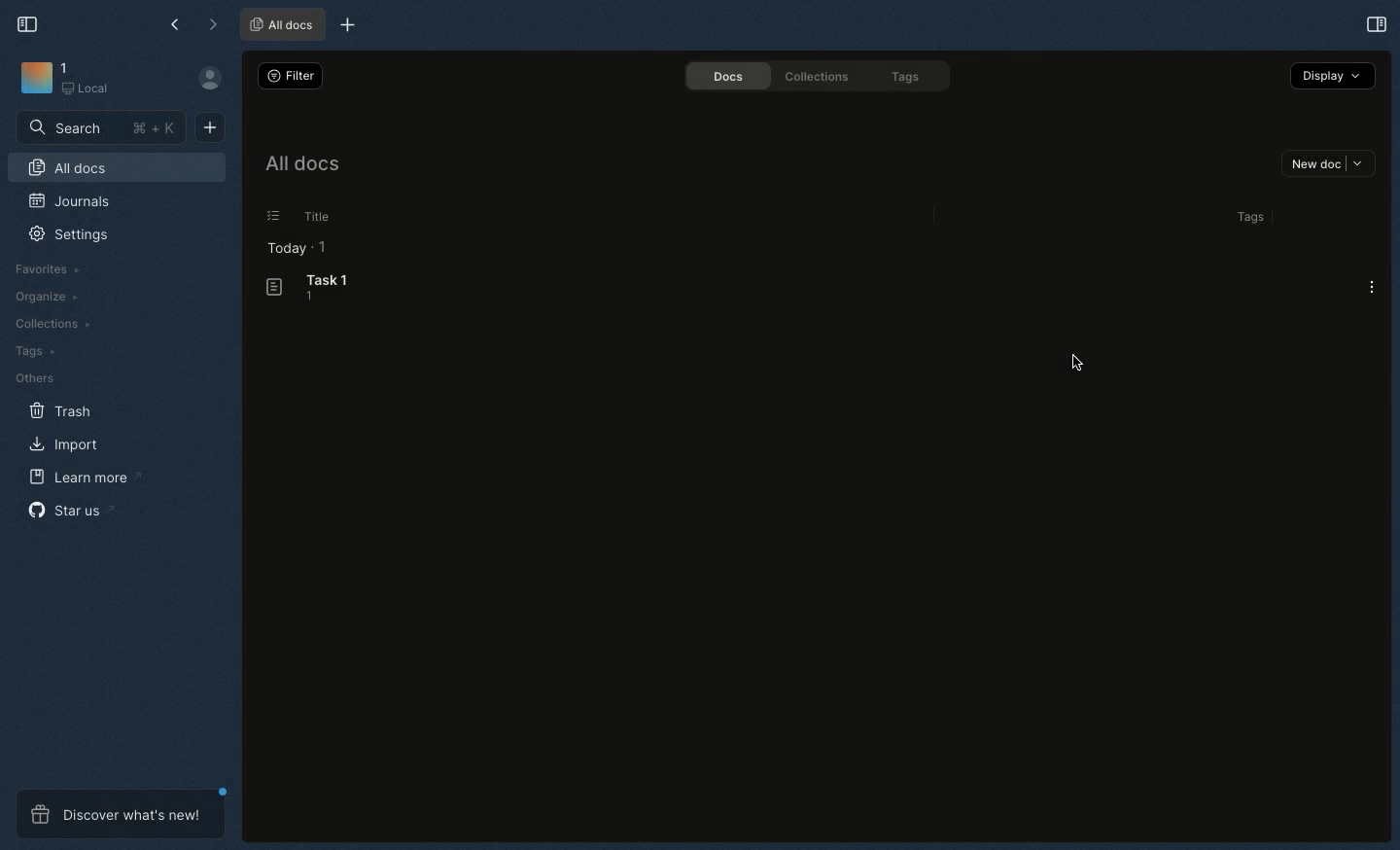 The image size is (1400, 850). I want to click on Collections, so click(819, 77).